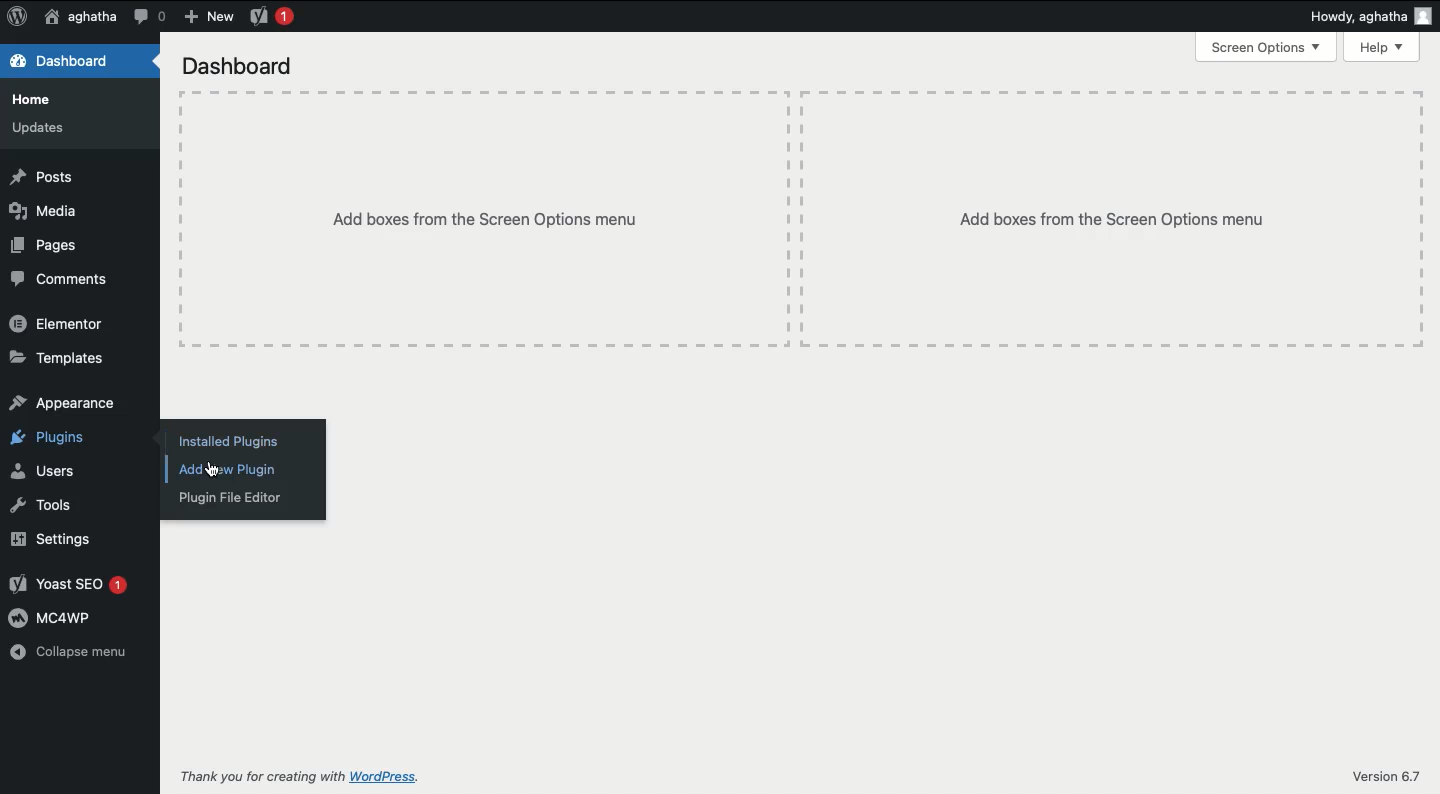 The height and width of the screenshot is (794, 1440). Describe the element at coordinates (227, 440) in the screenshot. I see `Installed plugins` at that location.